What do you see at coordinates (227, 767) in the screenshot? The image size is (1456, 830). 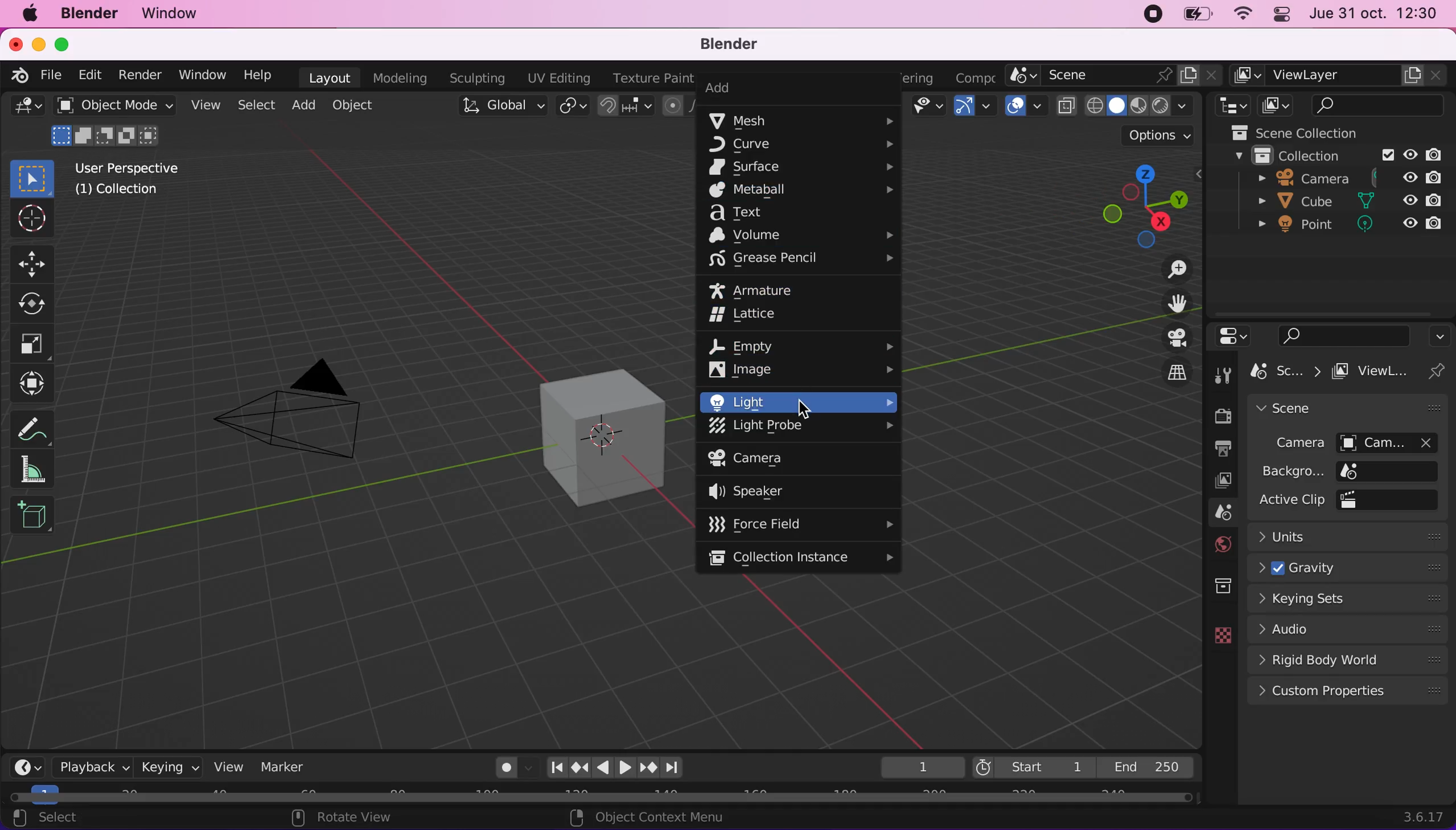 I see `view` at bounding box center [227, 767].